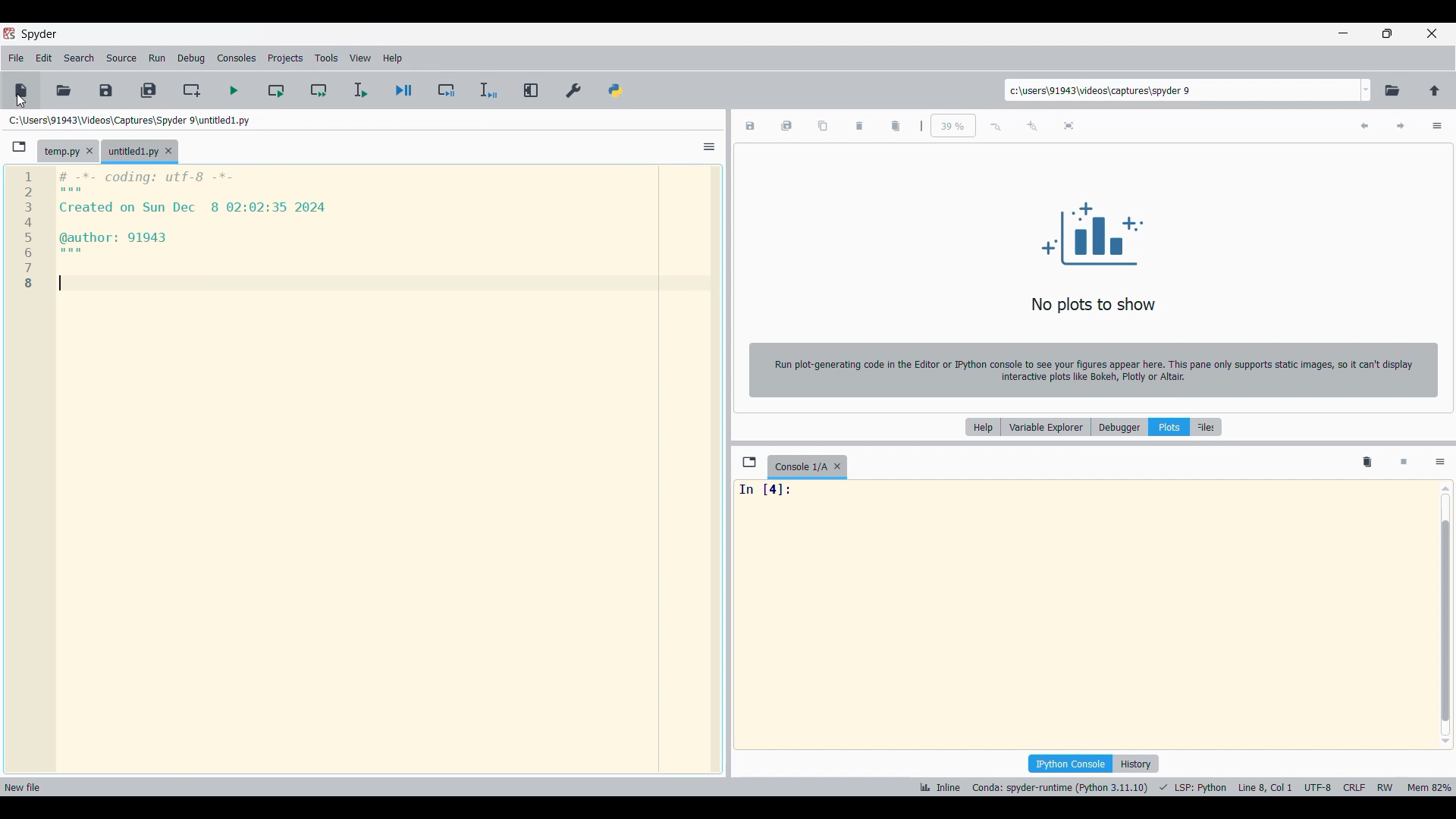  Describe the element at coordinates (1033, 126) in the screenshot. I see `Zoom in` at that location.